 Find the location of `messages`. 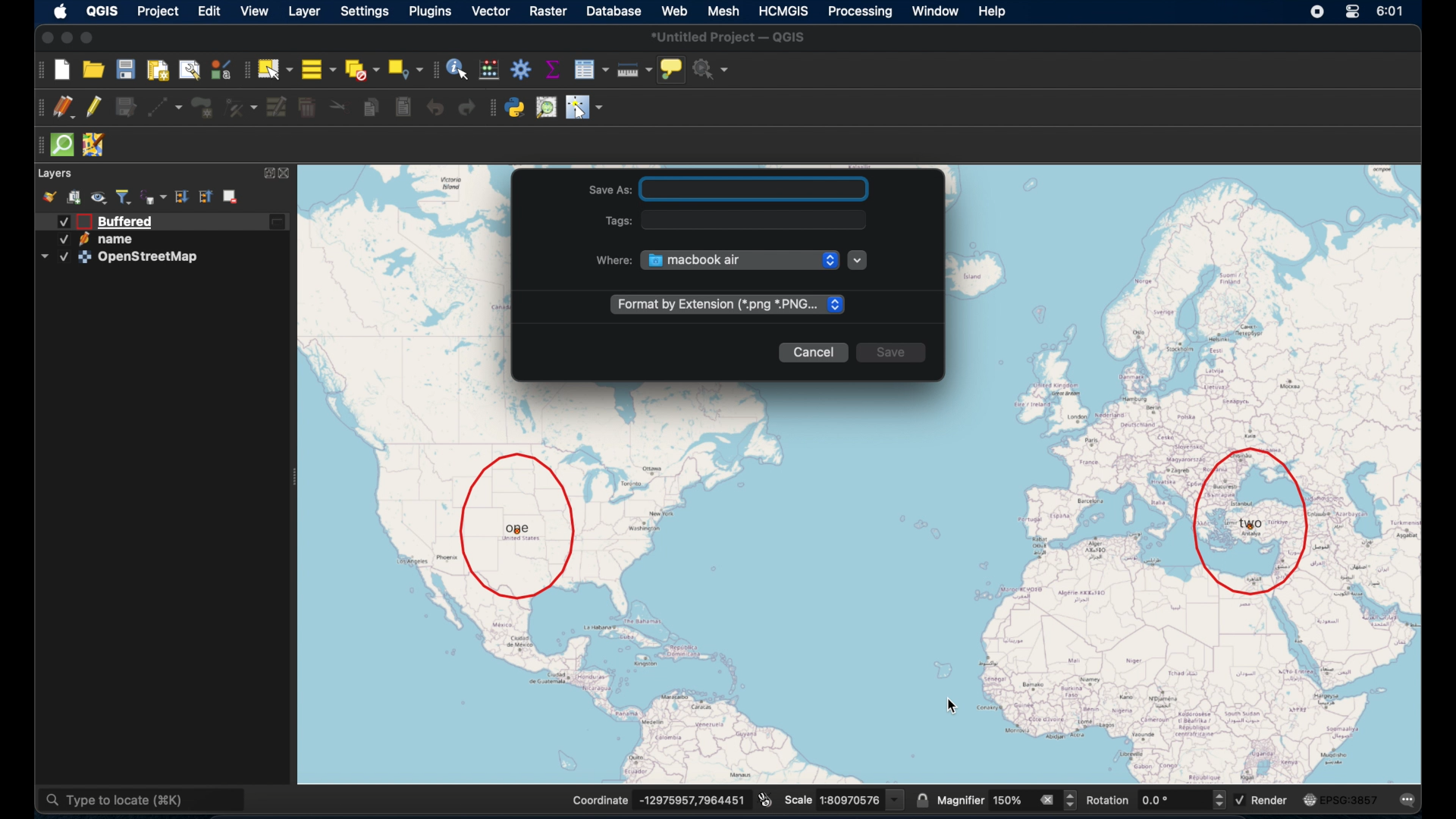

messages is located at coordinates (1409, 799).